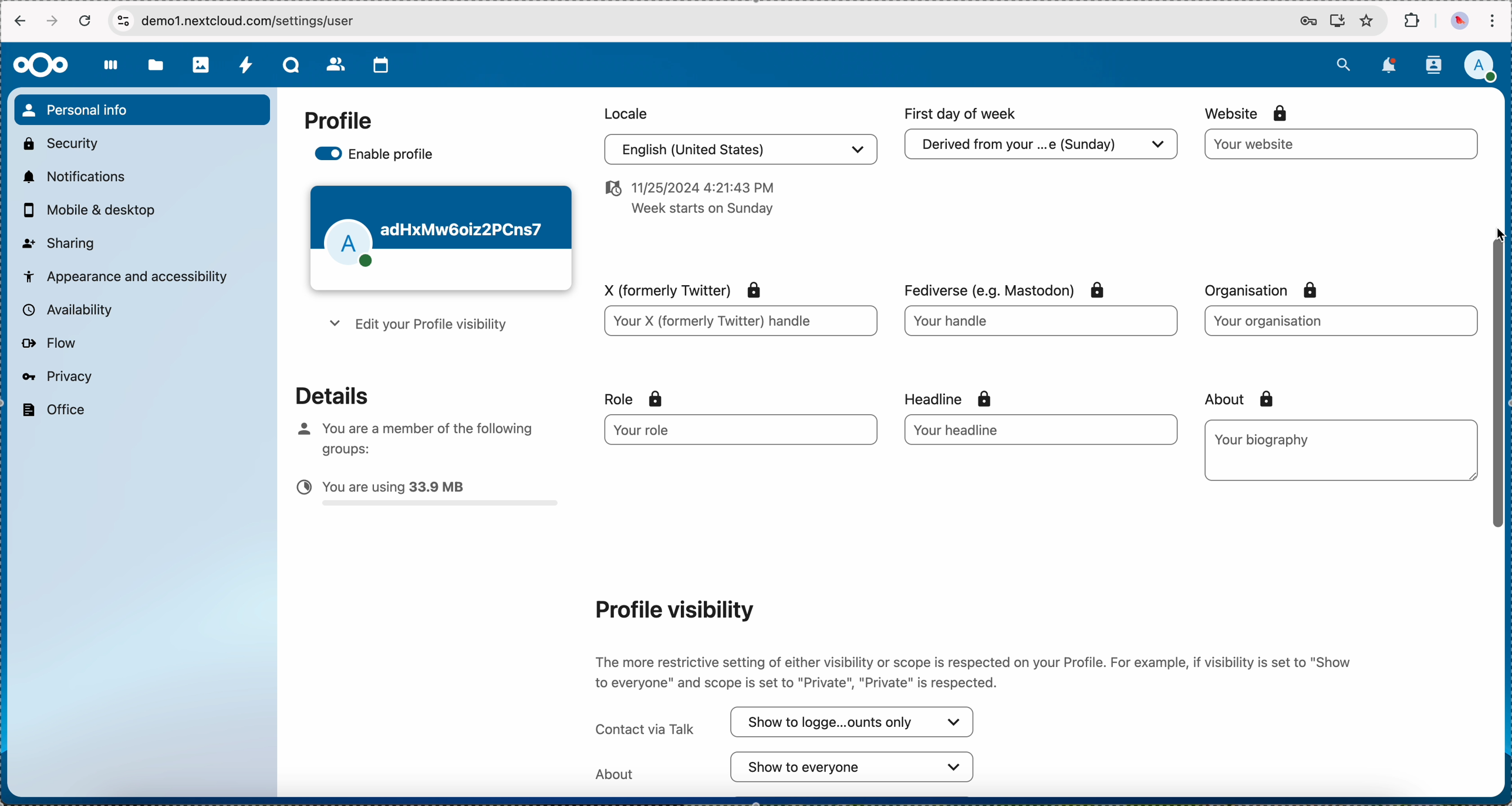  Describe the element at coordinates (86, 21) in the screenshot. I see `refresh the page` at that location.